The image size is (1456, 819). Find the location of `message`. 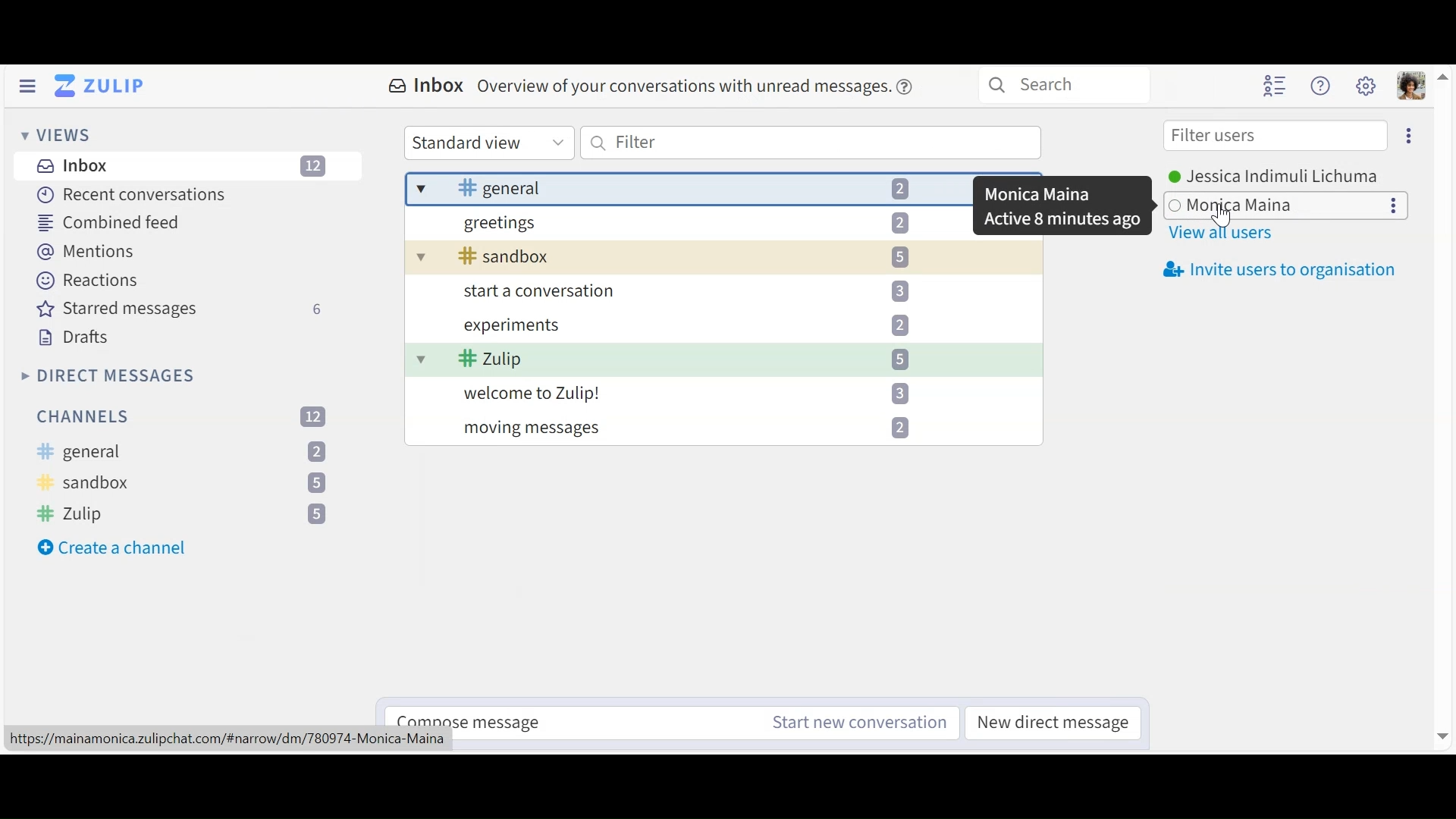

message is located at coordinates (725, 428).